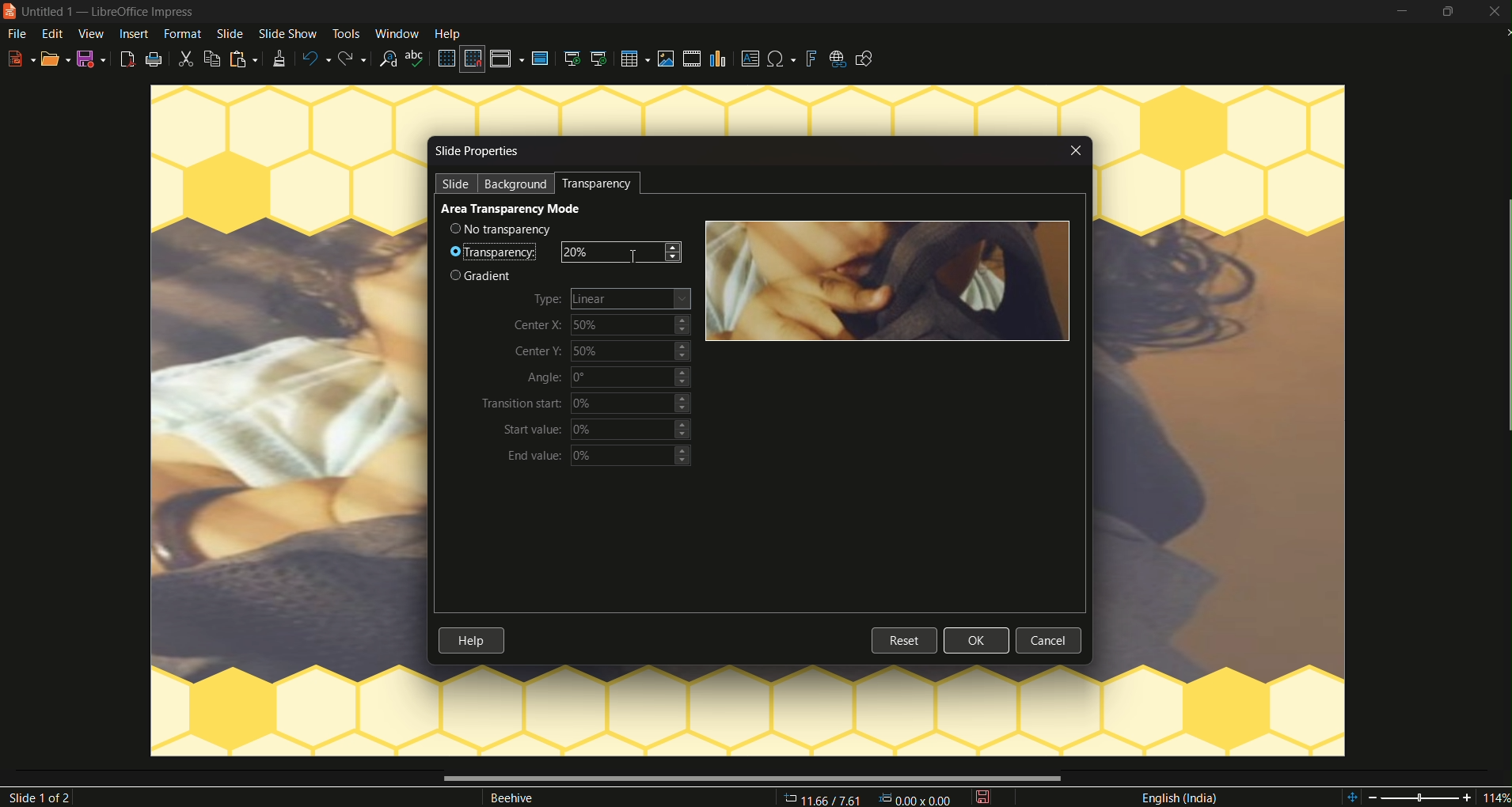 The width and height of the screenshot is (1512, 807). I want to click on insert image, so click(666, 60).